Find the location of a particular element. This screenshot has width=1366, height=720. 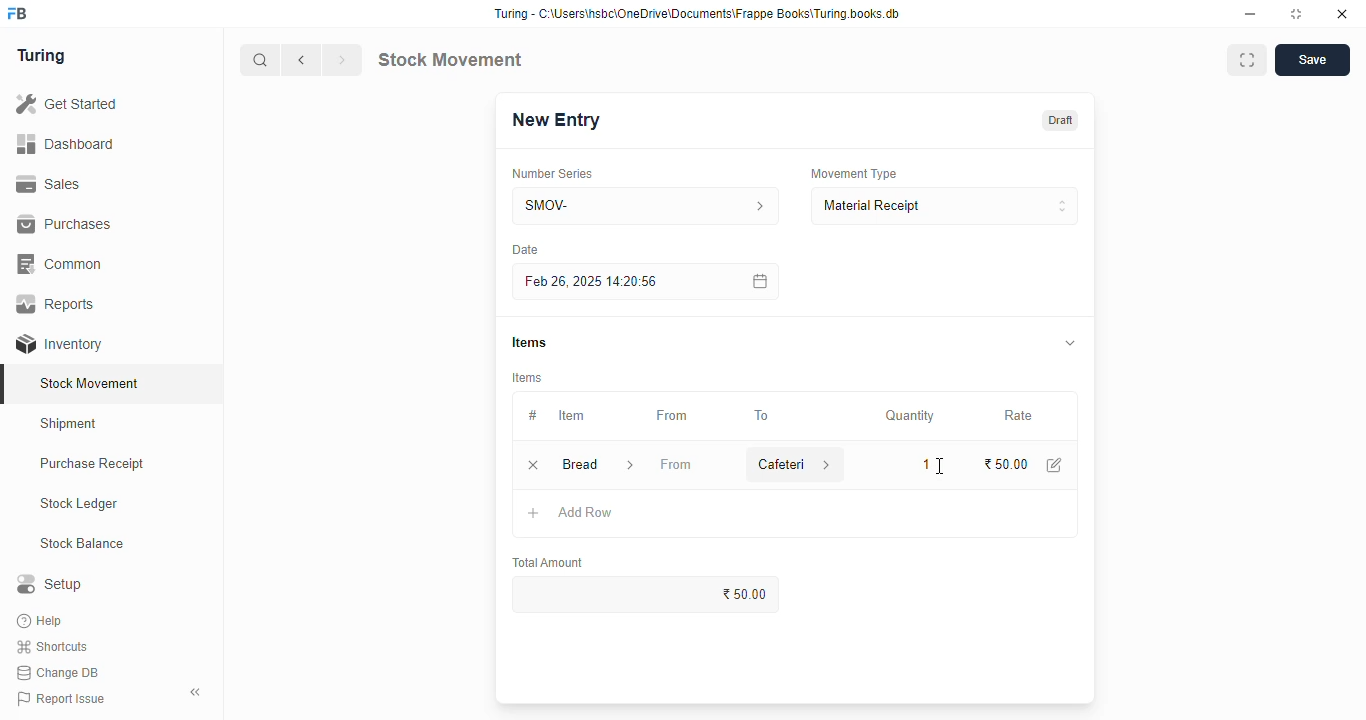

add row is located at coordinates (586, 512).